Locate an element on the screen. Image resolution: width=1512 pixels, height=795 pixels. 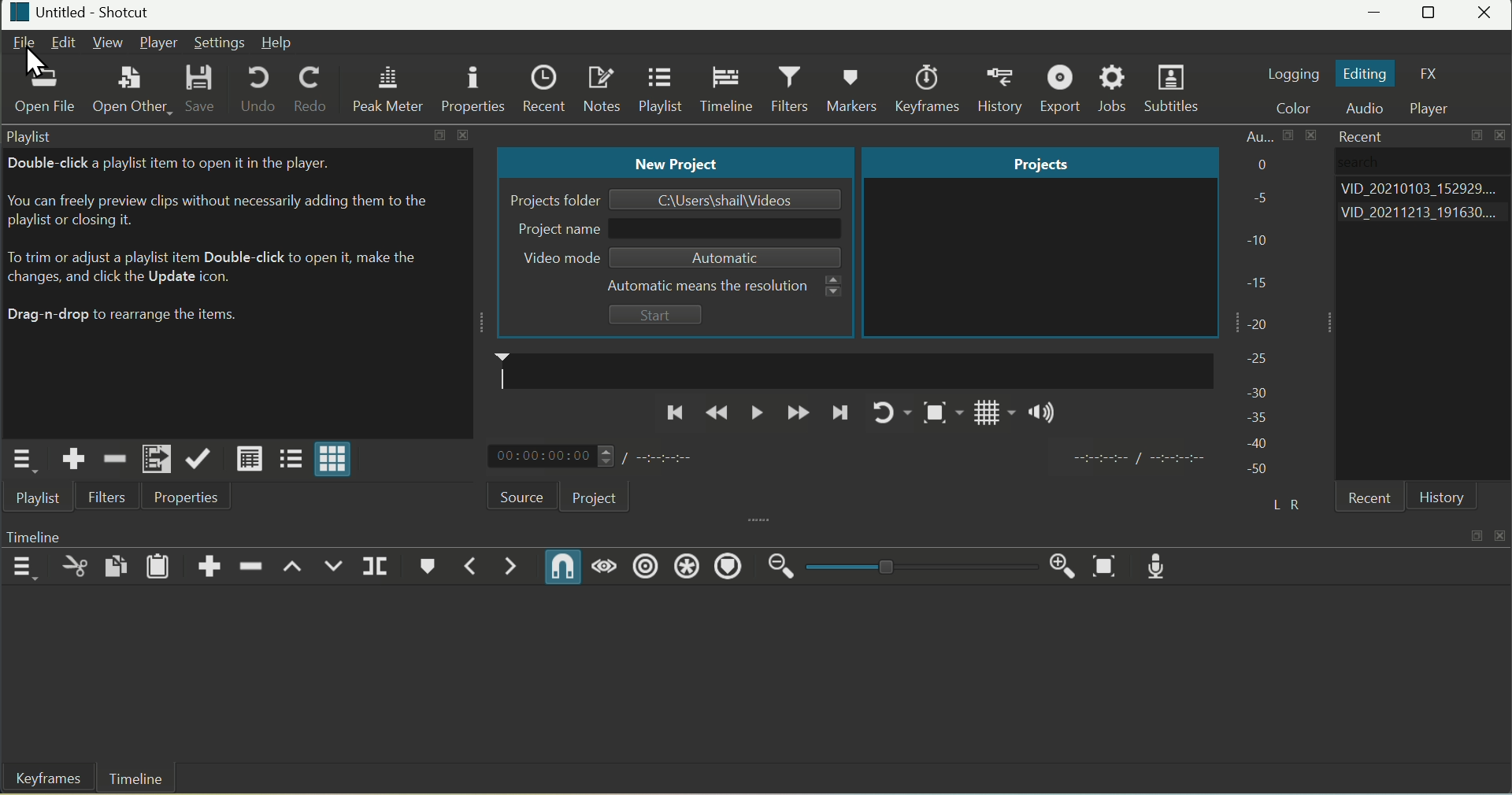
duration is located at coordinates (1136, 460).